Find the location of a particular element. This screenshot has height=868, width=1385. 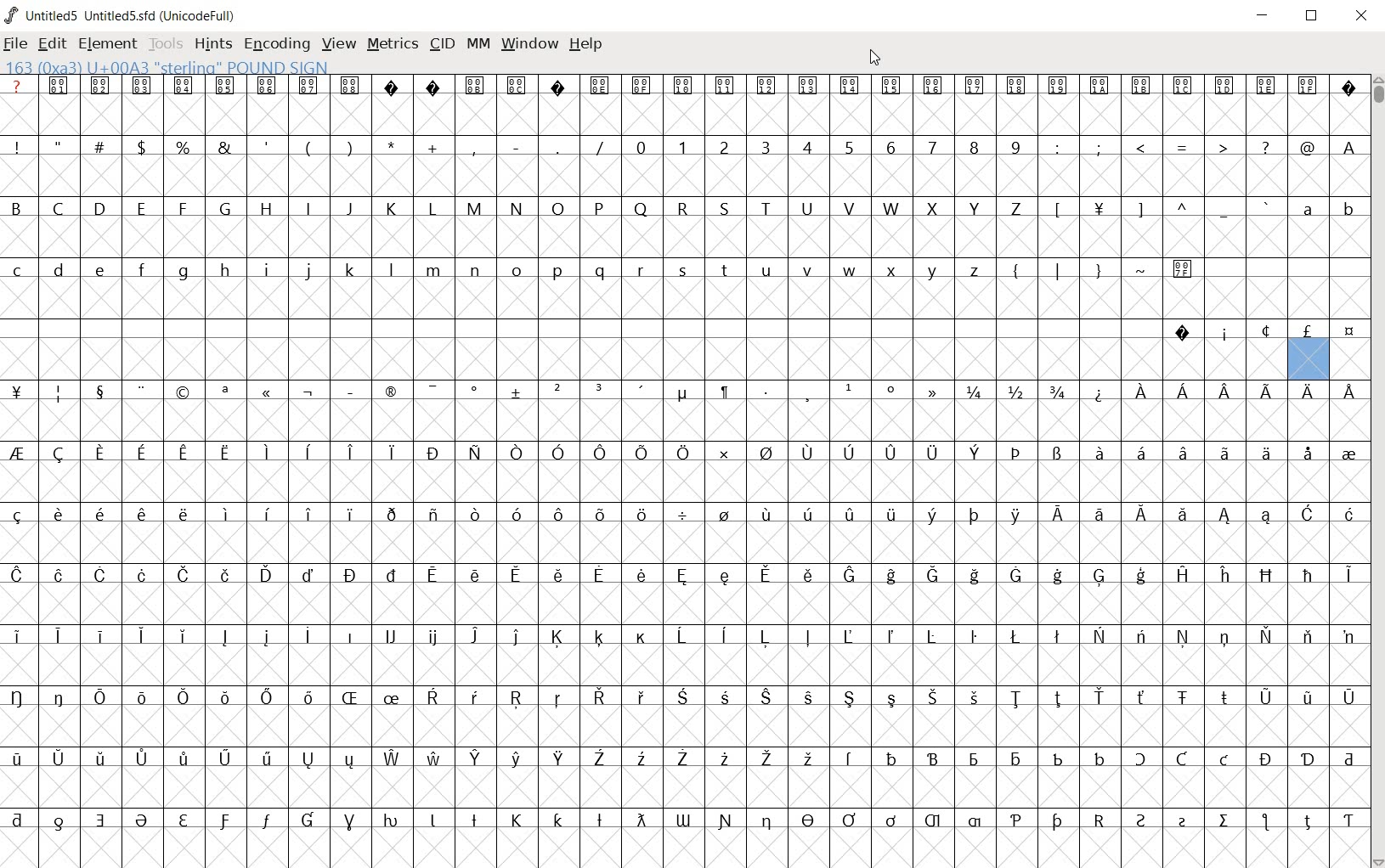

Symbol is located at coordinates (432, 821).